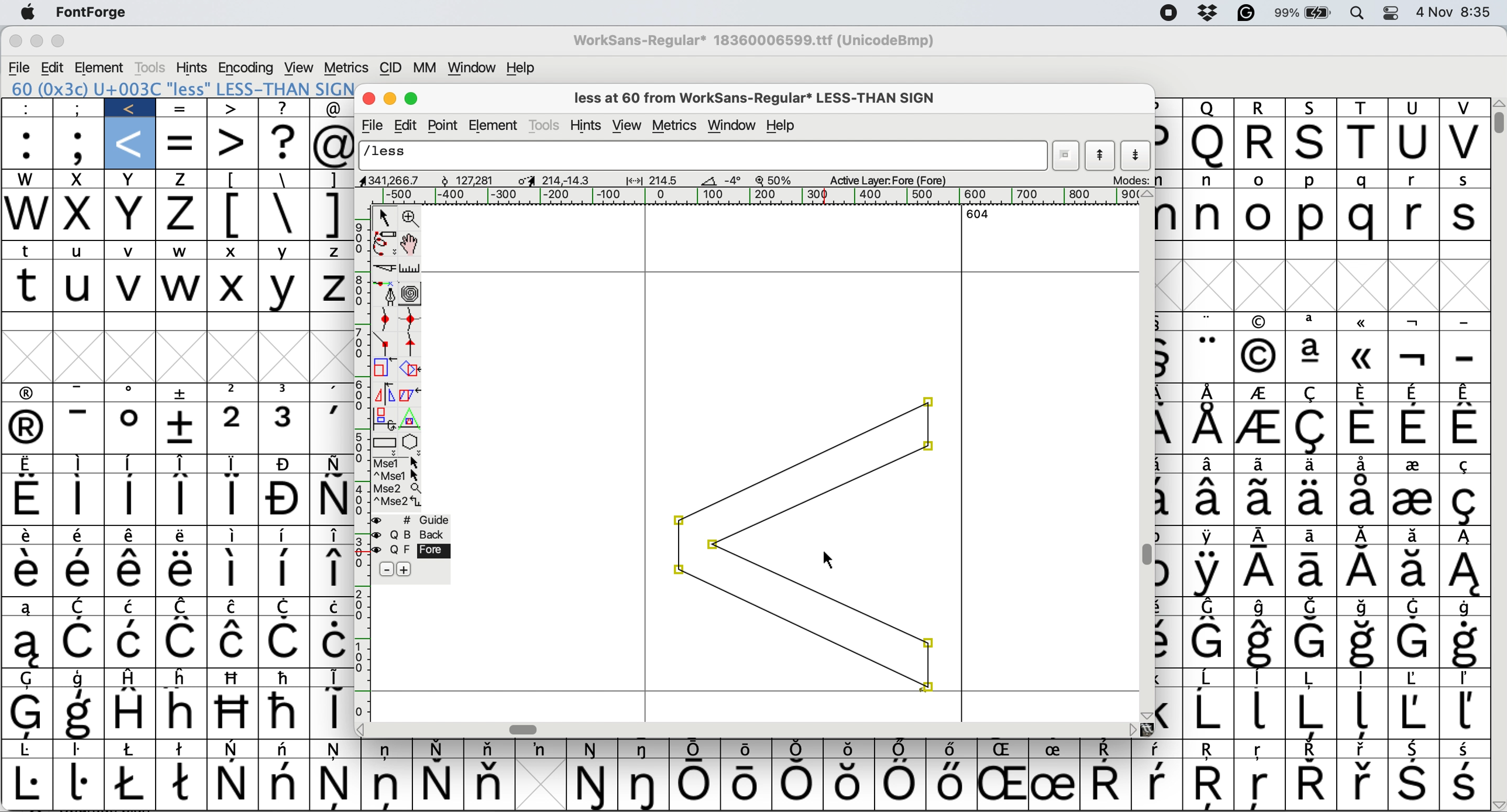  I want to click on Symbol, so click(184, 786).